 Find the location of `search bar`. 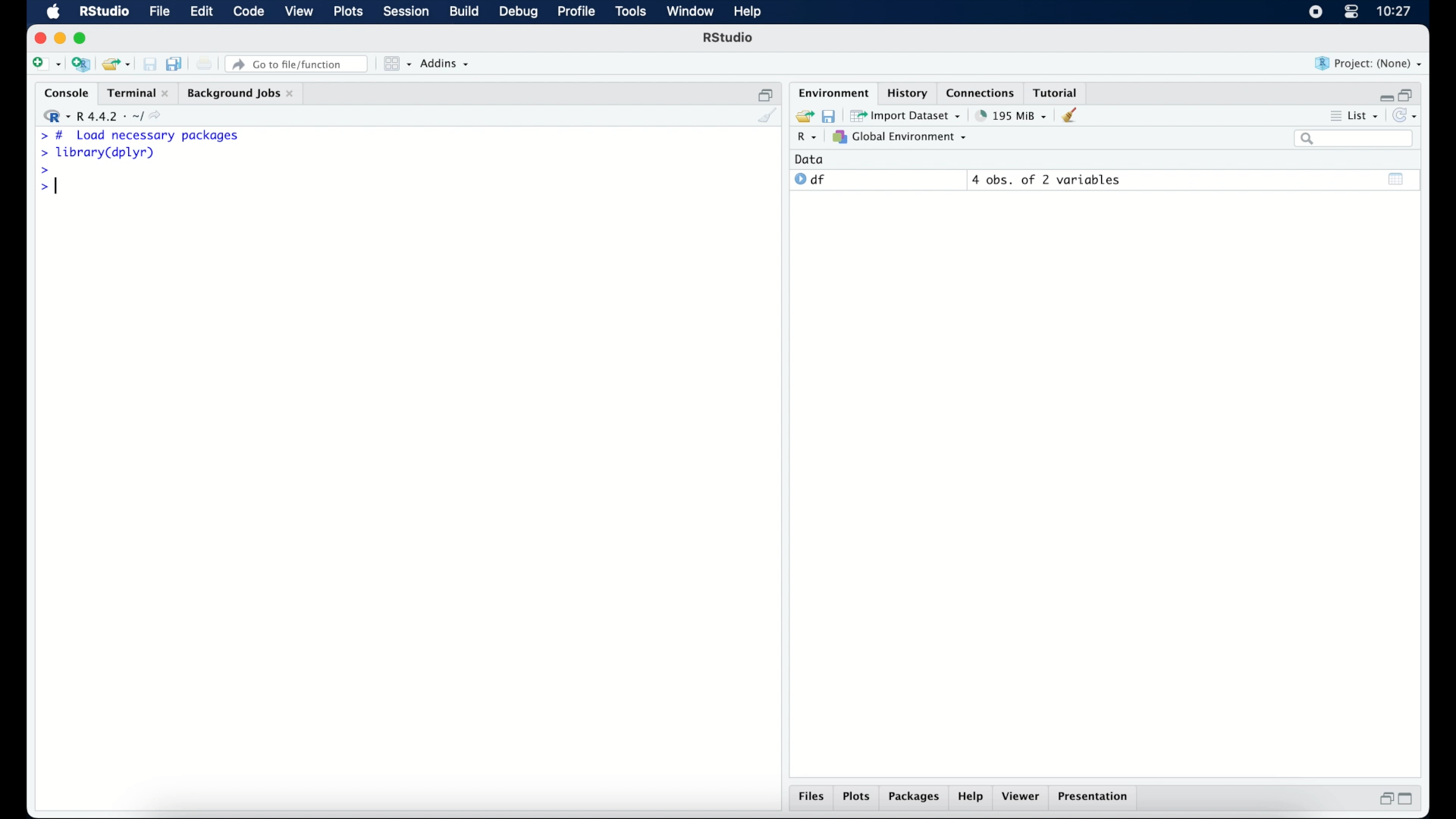

search bar is located at coordinates (1353, 140).